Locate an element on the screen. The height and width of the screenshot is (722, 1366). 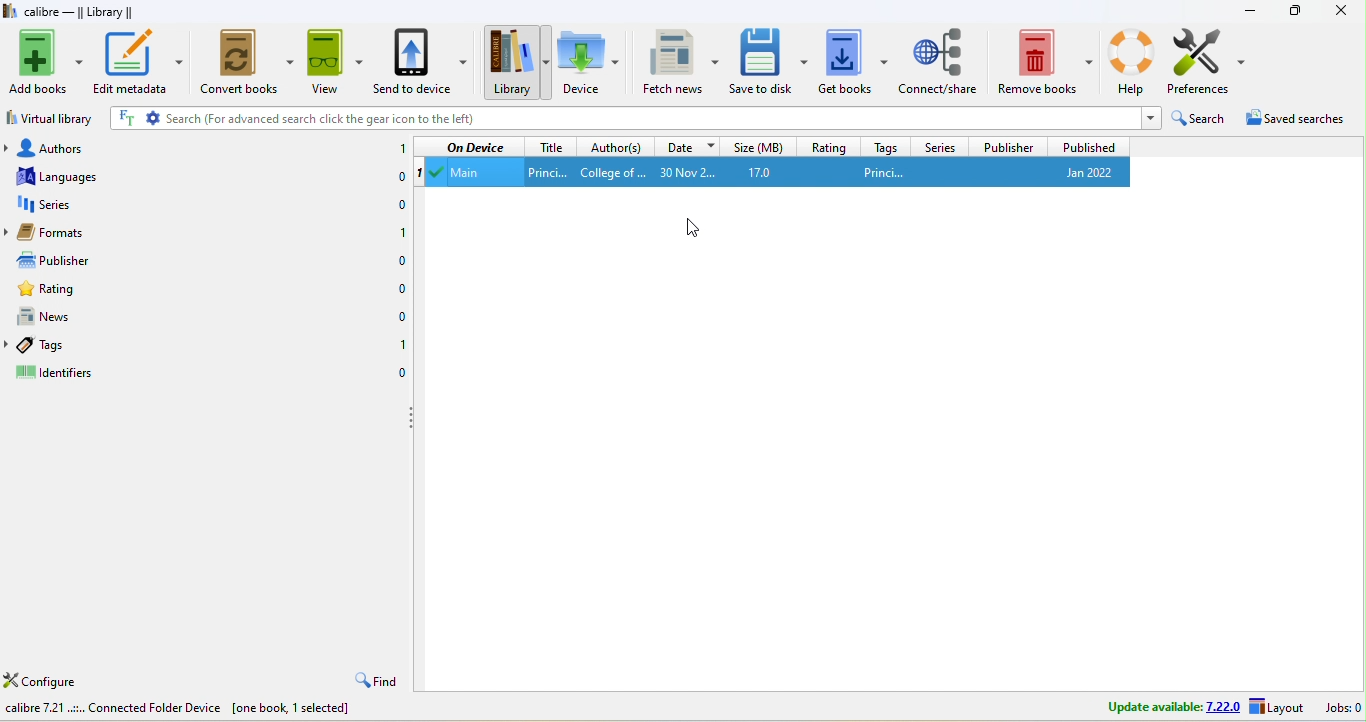
drag to collapse is located at coordinates (414, 420).